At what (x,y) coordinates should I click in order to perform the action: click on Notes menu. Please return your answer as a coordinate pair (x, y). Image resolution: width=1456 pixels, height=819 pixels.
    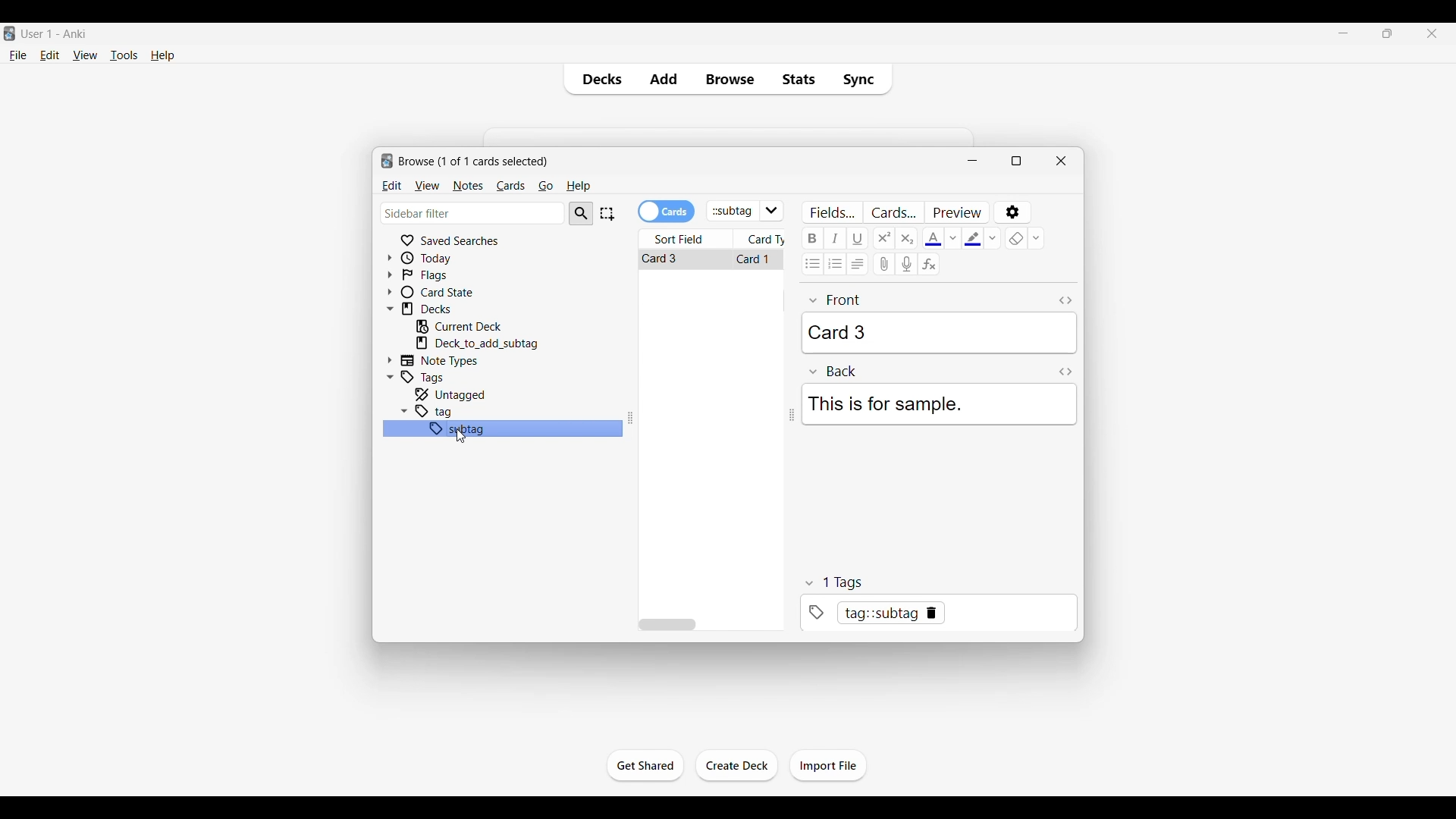
    Looking at the image, I should click on (468, 187).